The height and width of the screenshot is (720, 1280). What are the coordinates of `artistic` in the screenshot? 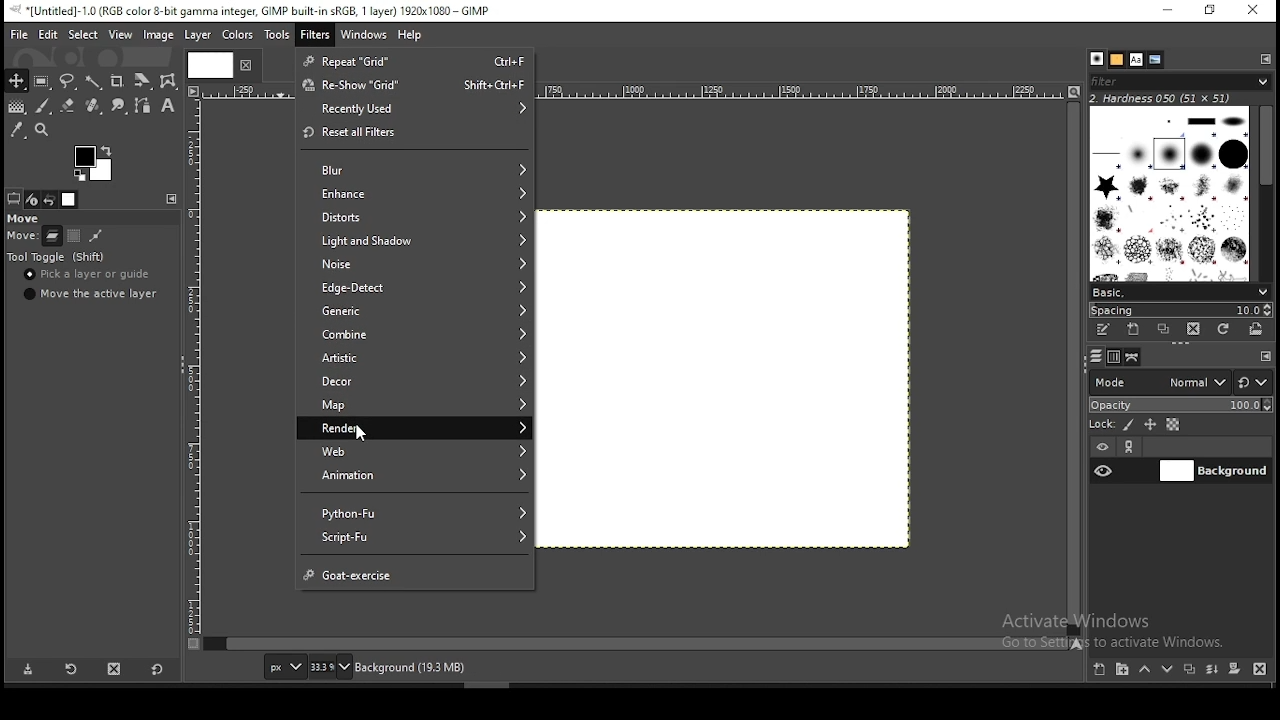 It's located at (411, 355).